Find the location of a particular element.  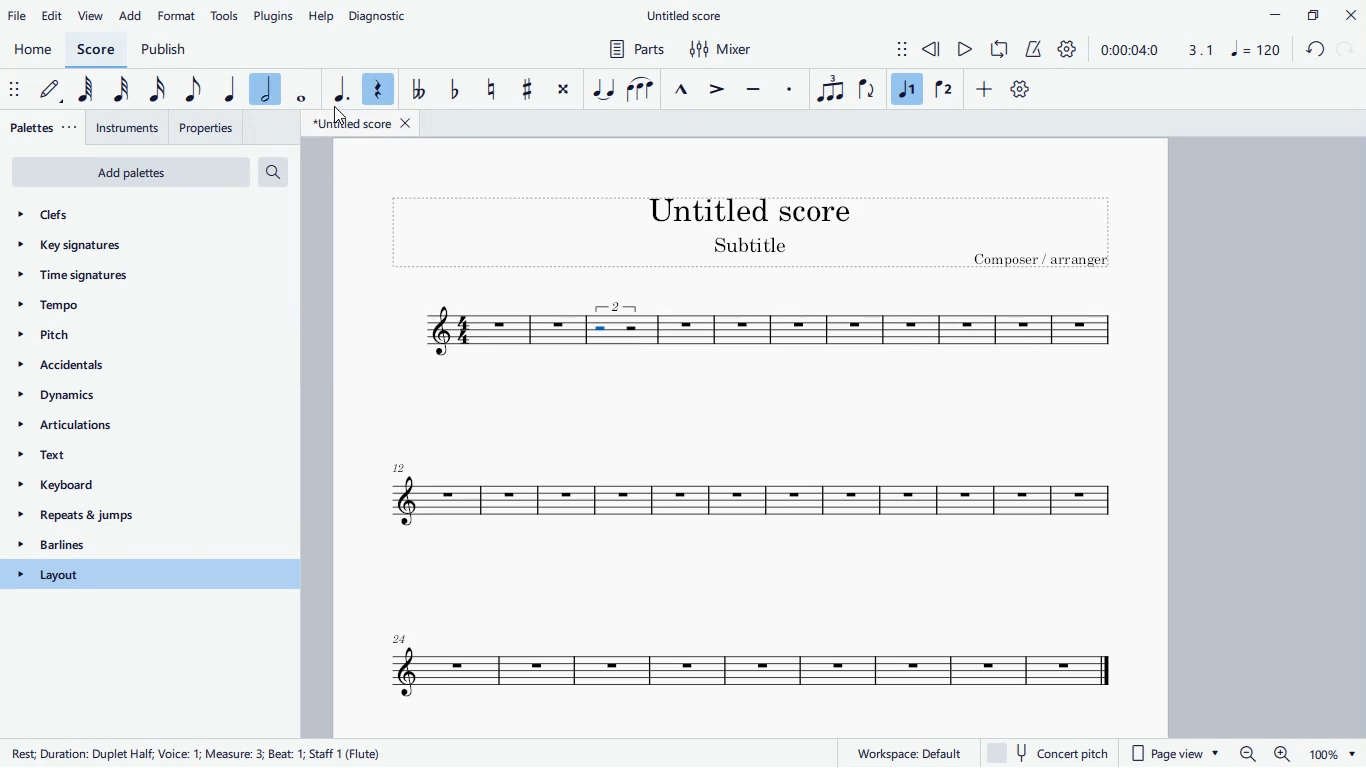

edit is located at coordinates (55, 15).